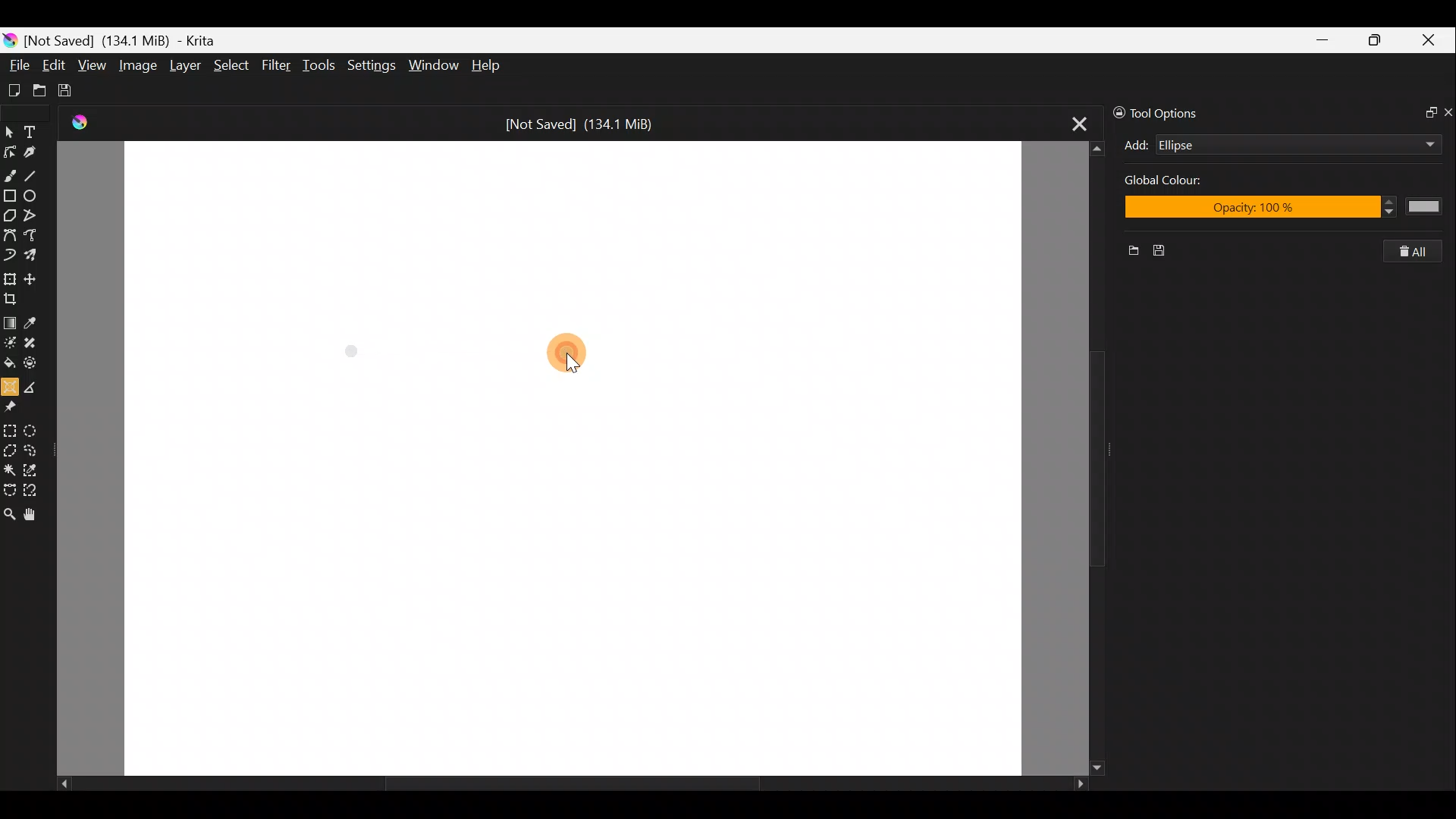 The width and height of the screenshot is (1456, 819). Describe the element at coordinates (55, 65) in the screenshot. I see `Edit` at that location.